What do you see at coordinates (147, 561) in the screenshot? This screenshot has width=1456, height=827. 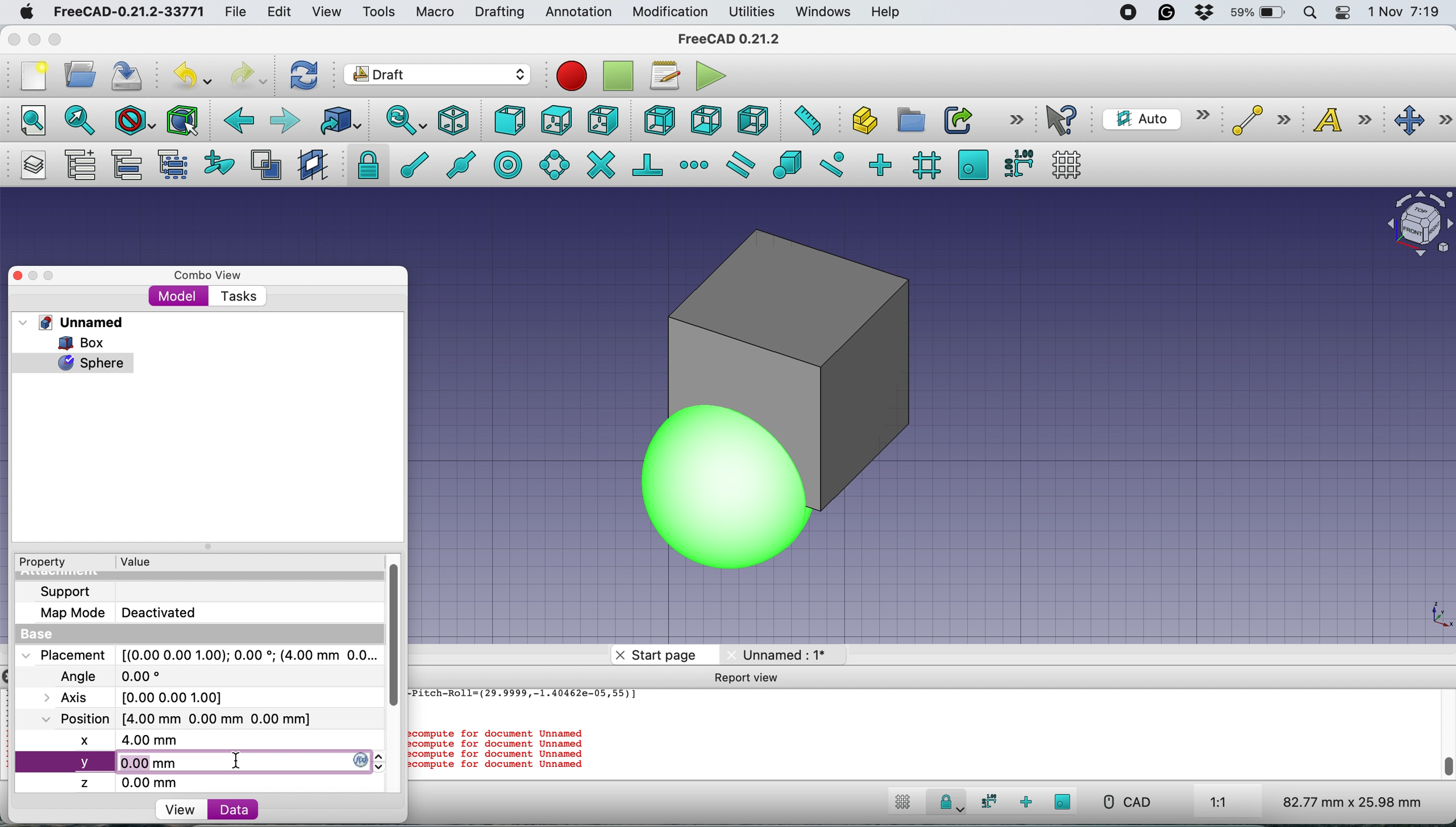 I see `value` at bounding box center [147, 561].